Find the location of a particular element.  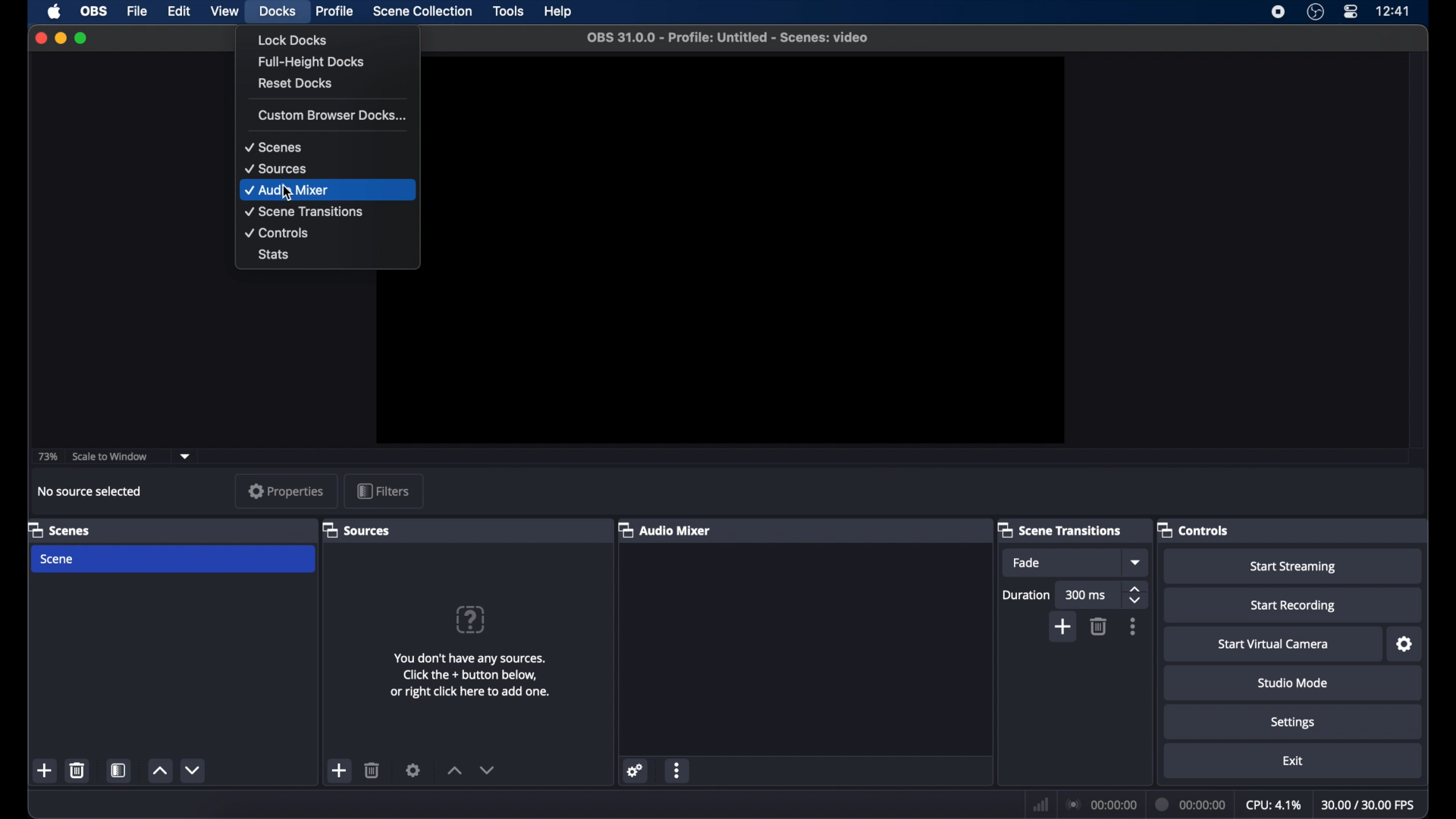

scene is located at coordinates (58, 559).